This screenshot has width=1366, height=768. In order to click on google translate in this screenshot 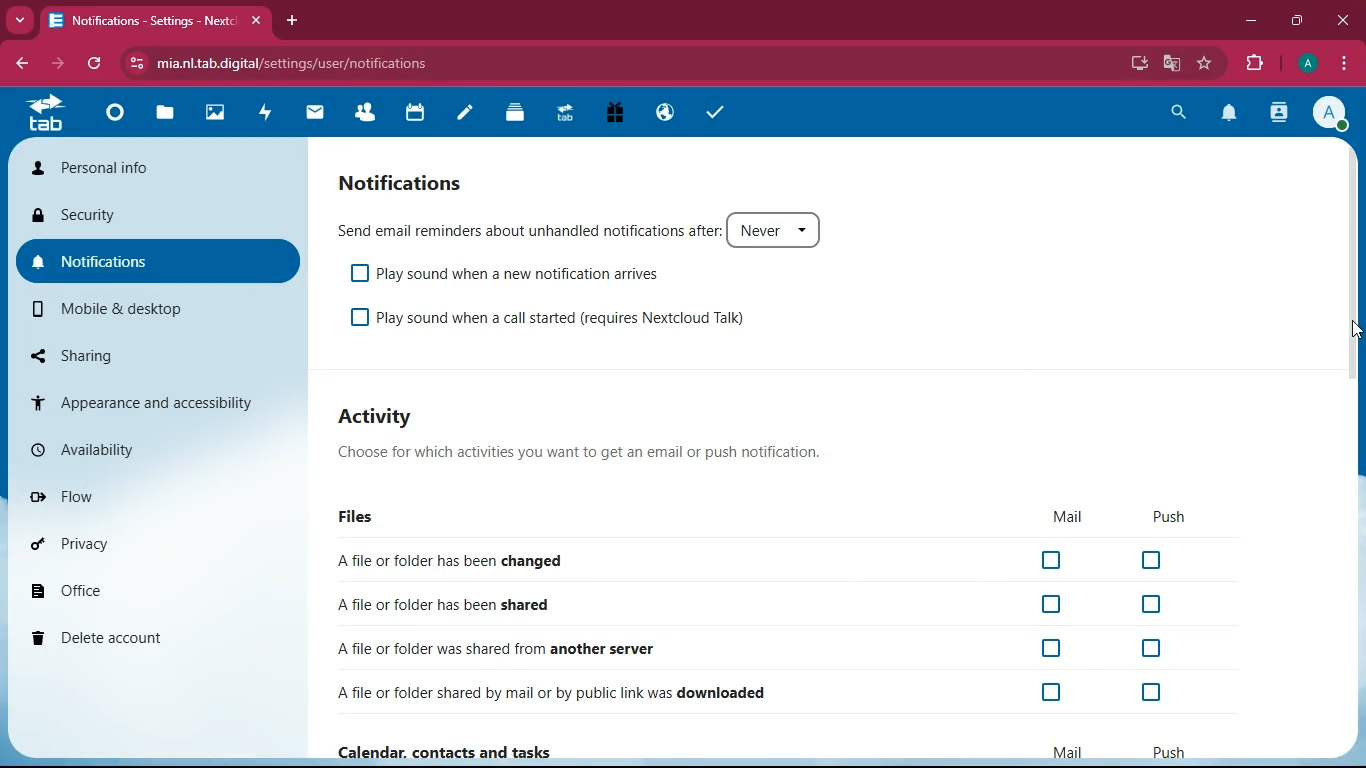, I will do `click(1172, 63)`.